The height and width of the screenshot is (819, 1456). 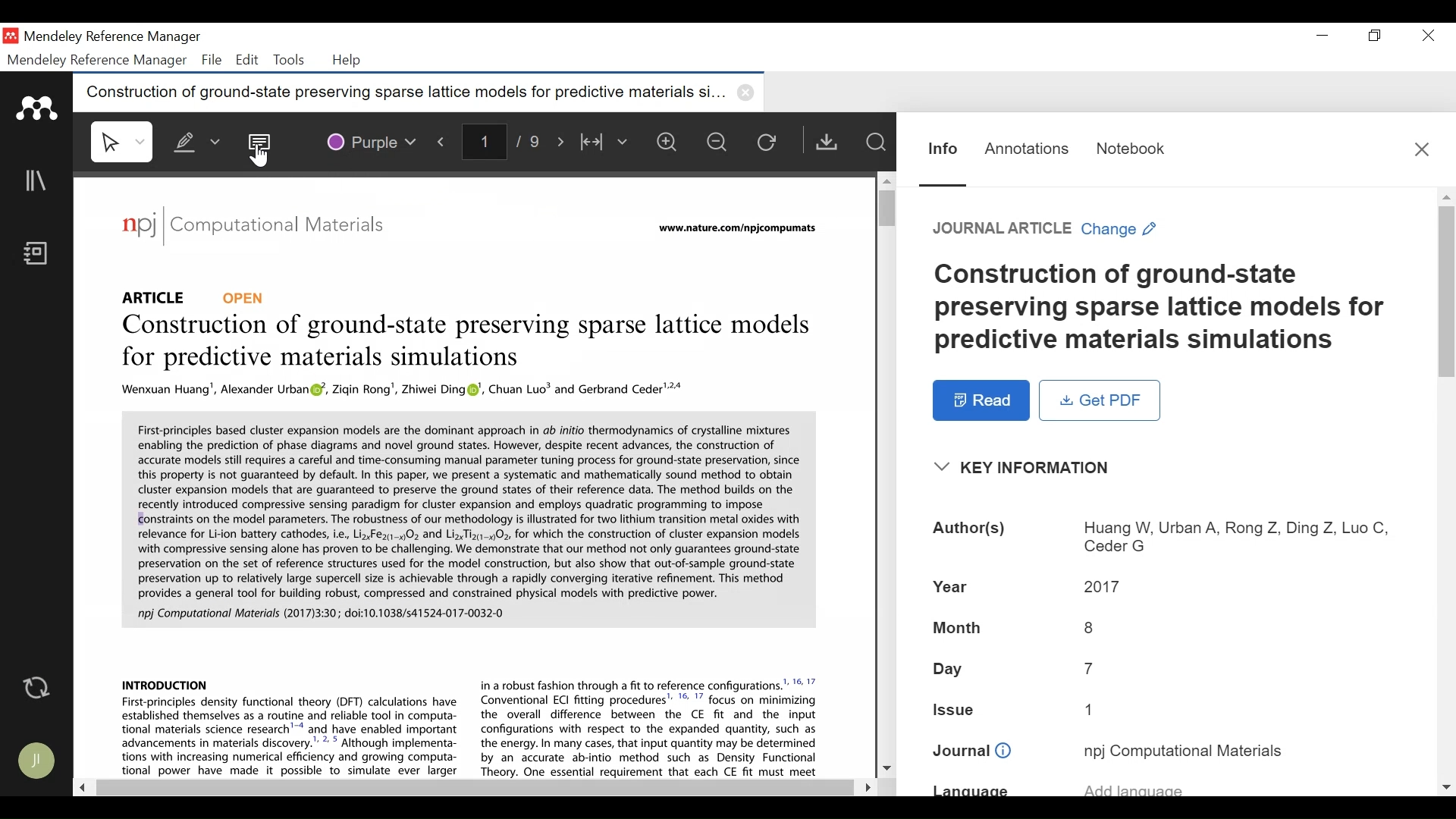 I want to click on Previous Page, so click(x=444, y=141).